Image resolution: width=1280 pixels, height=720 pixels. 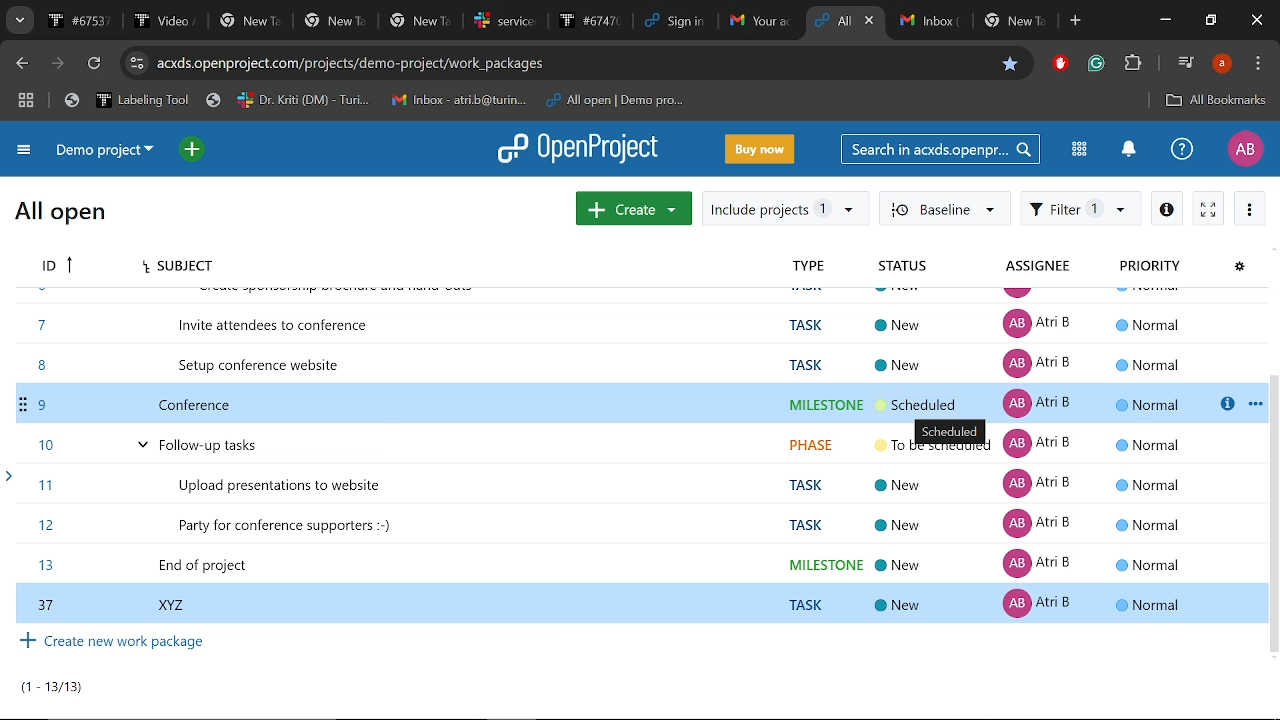 What do you see at coordinates (1182, 149) in the screenshot?
I see `Help` at bounding box center [1182, 149].